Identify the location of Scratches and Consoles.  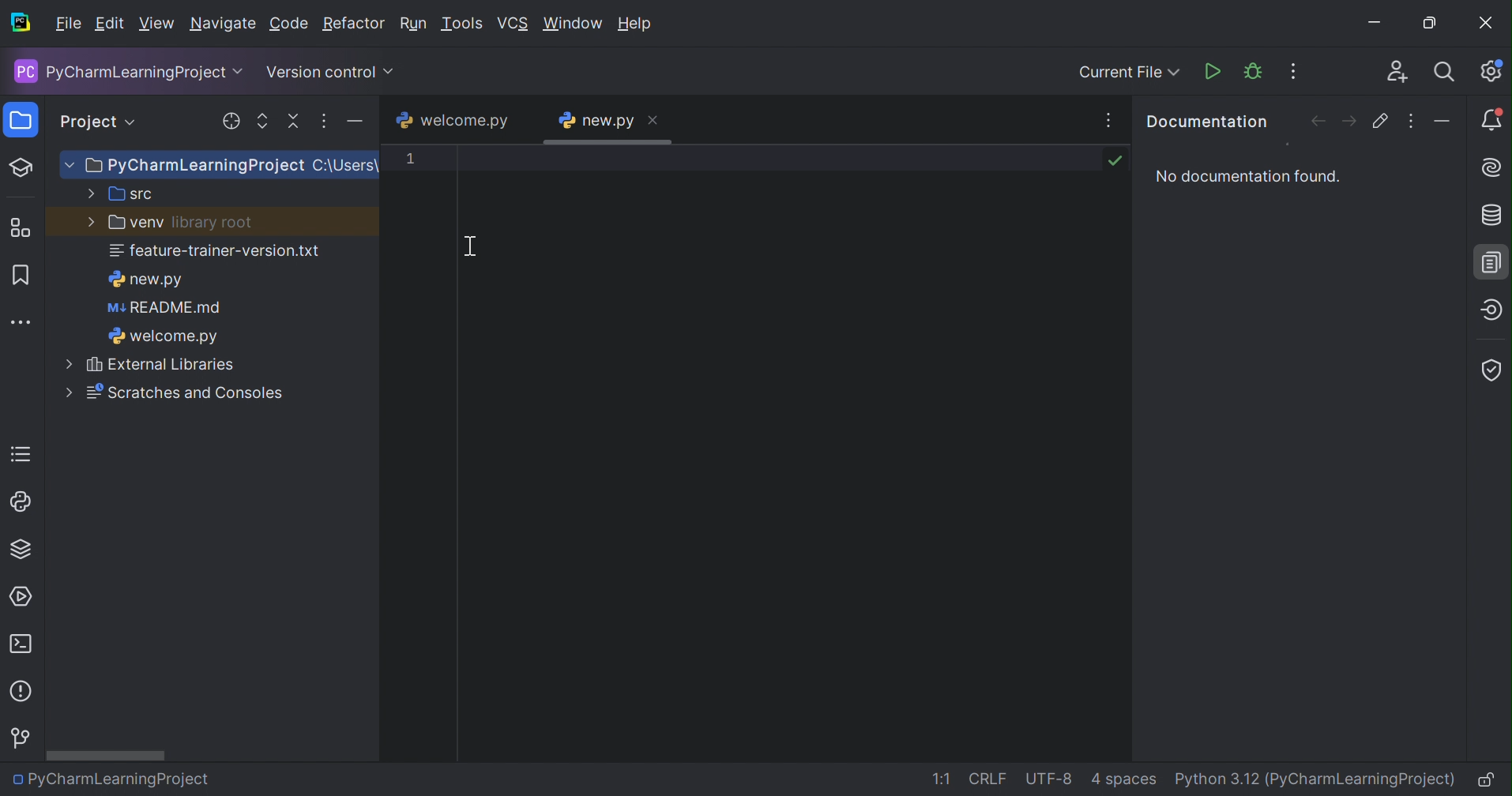
(168, 392).